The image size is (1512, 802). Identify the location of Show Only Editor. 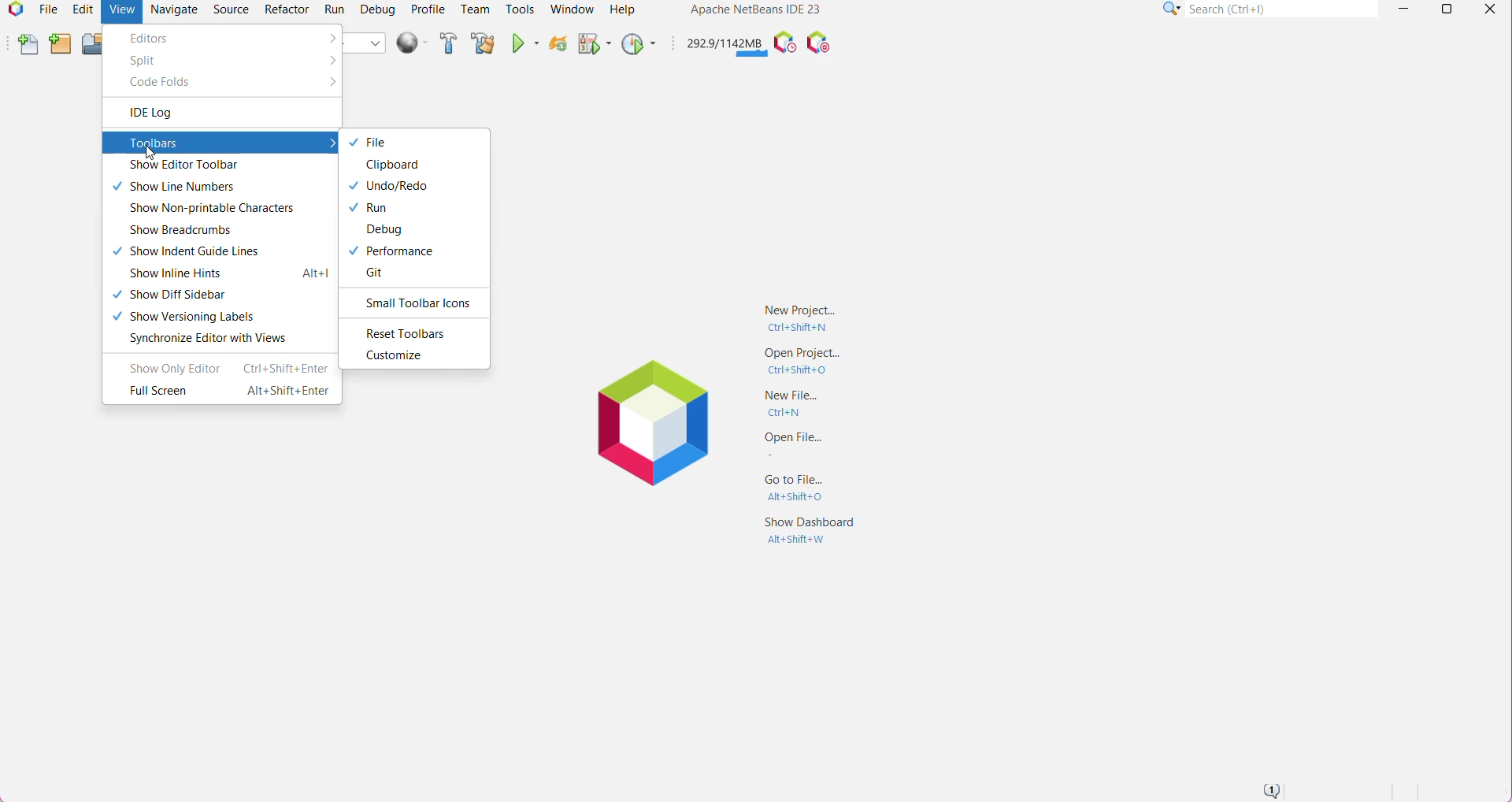
(224, 368).